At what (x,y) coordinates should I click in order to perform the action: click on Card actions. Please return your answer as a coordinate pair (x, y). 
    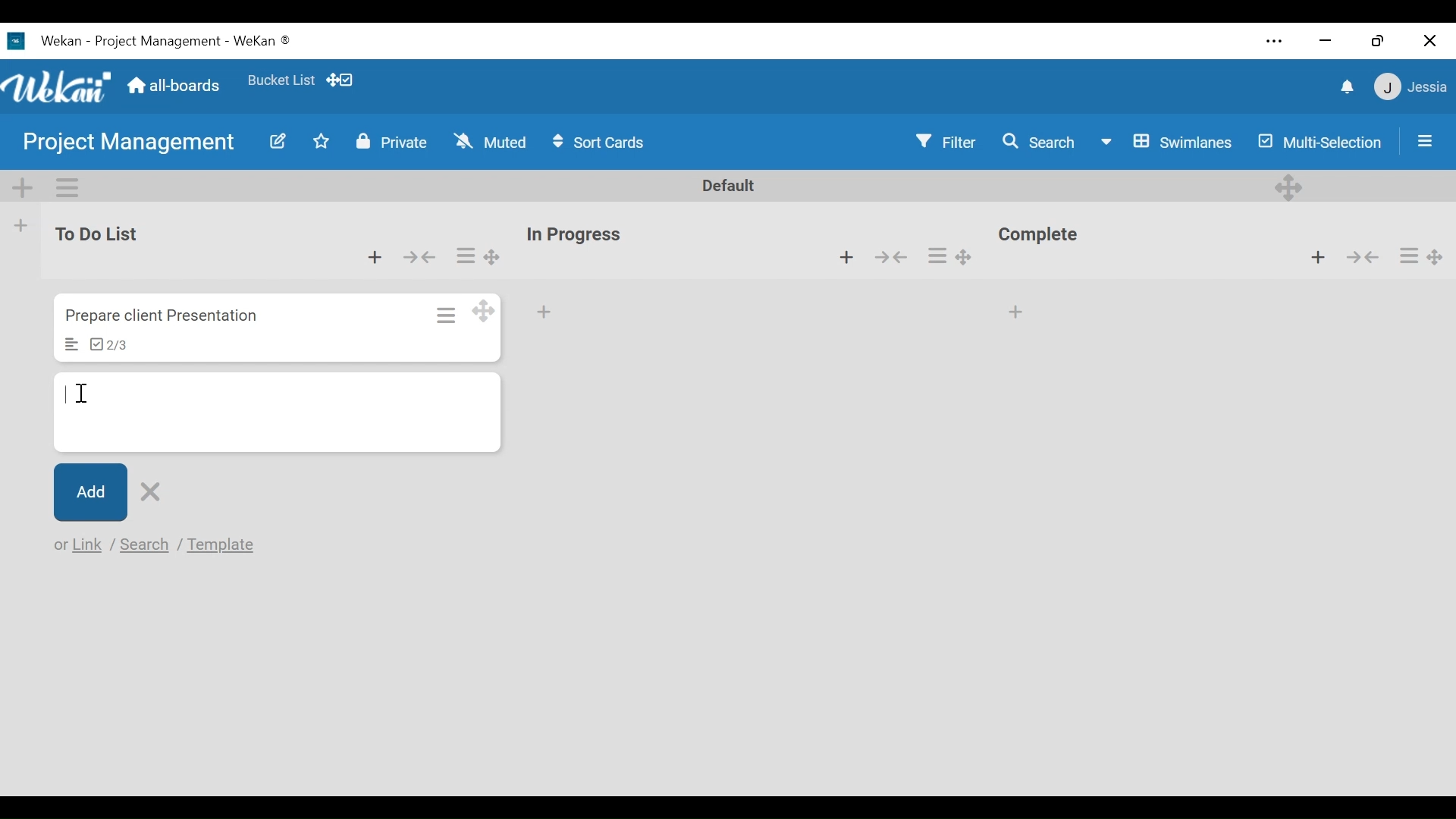
    Looking at the image, I should click on (1408, 255).